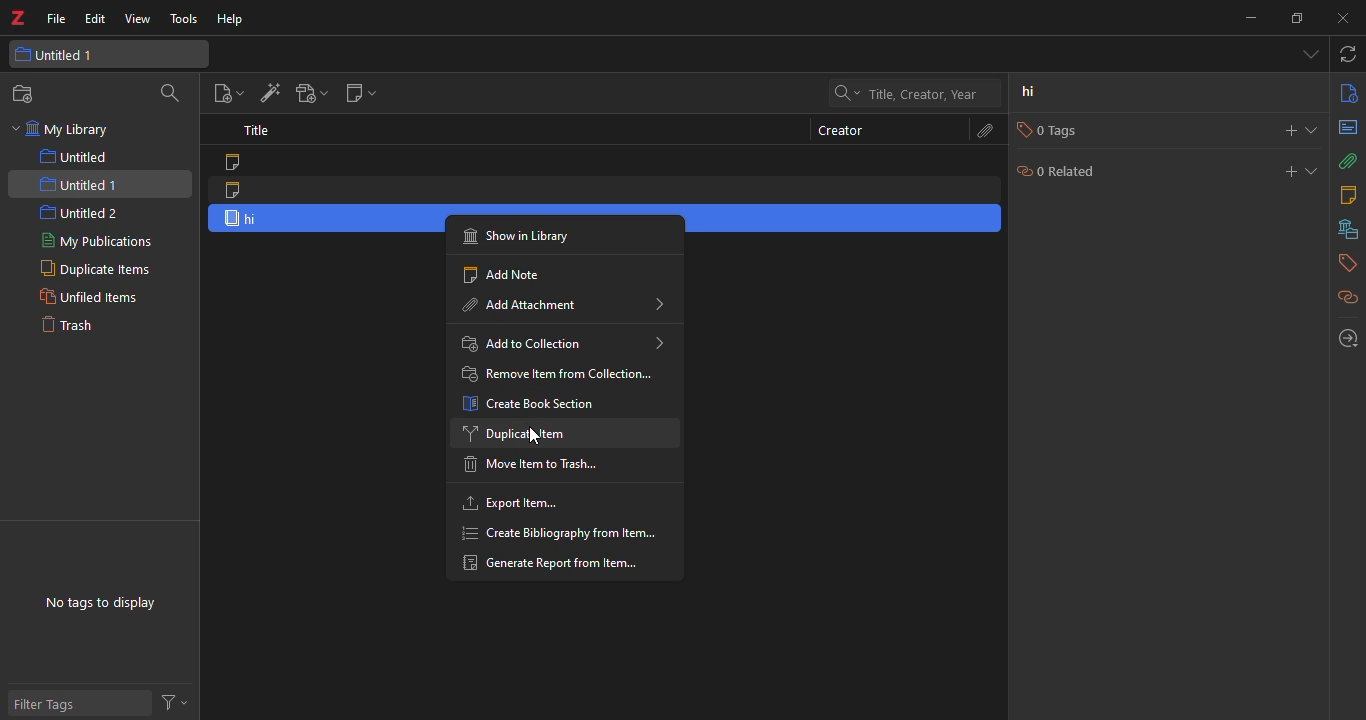  Describe the element at coordinates (1290, 130) in the screenshot. I see `add` at that location.